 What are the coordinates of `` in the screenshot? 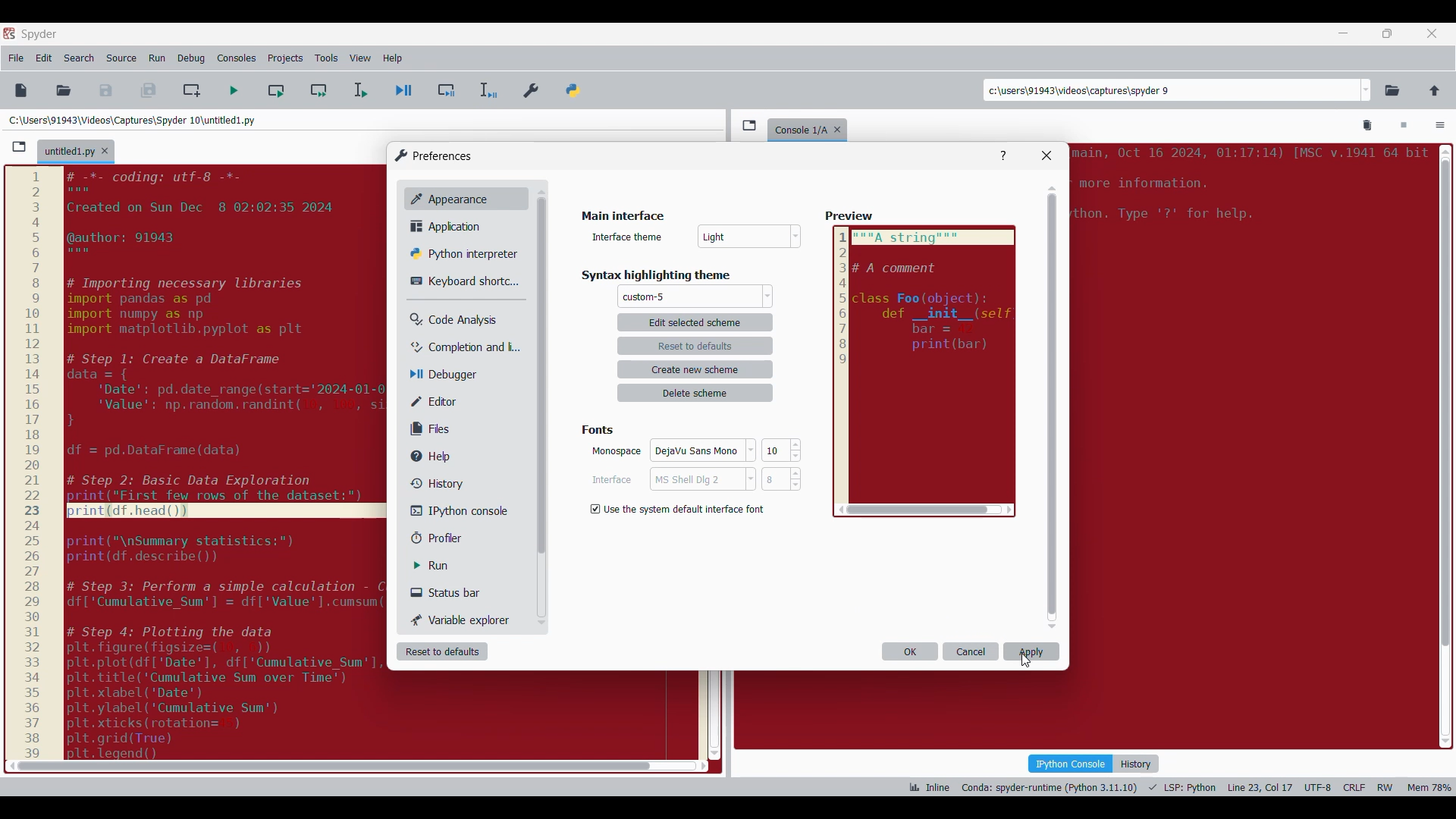 It's located at (927, 376).